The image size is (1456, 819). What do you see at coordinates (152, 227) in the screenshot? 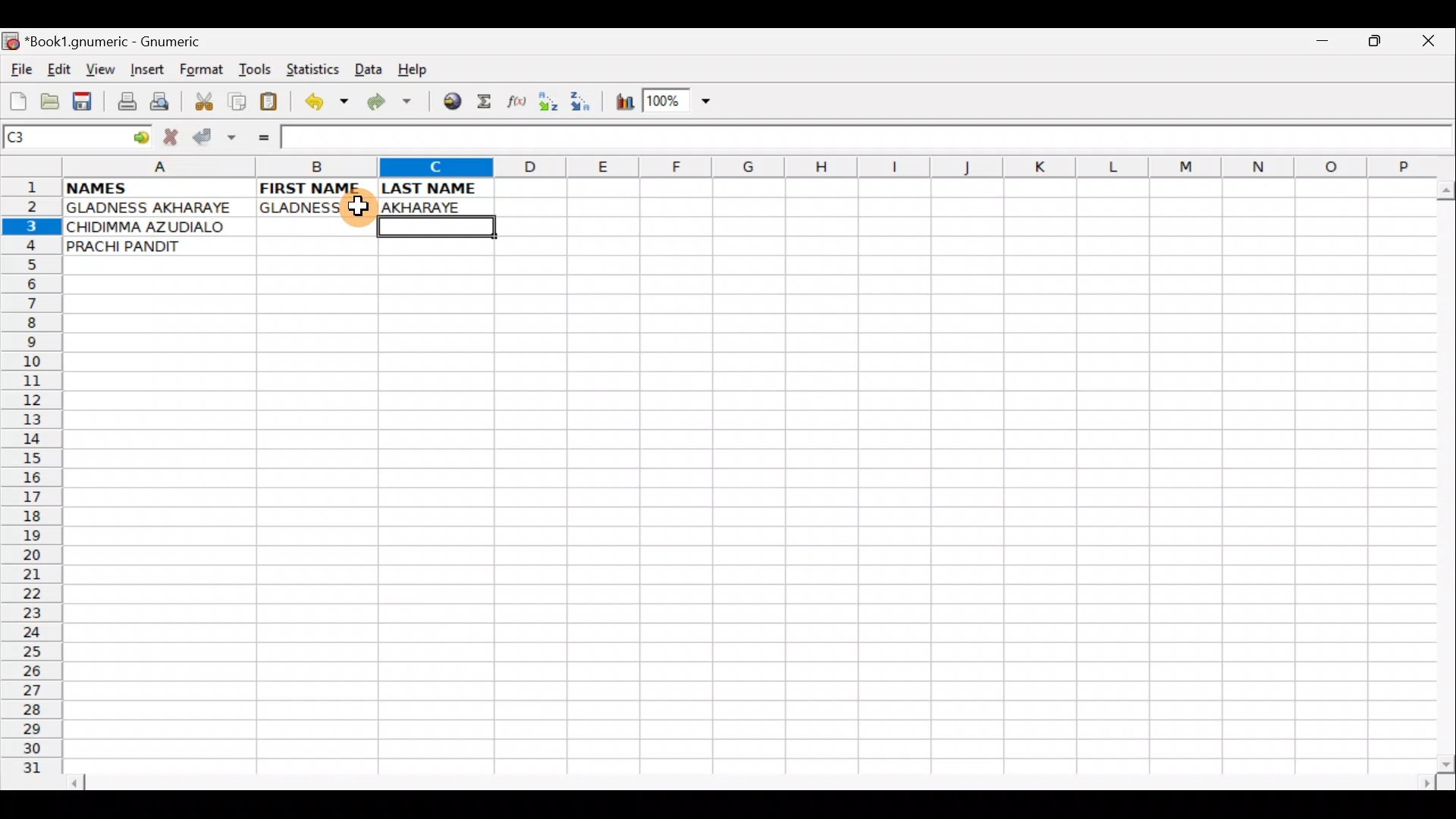
I see `CHIDIMMA AZUDIALO` at bounding box center [152, 227].